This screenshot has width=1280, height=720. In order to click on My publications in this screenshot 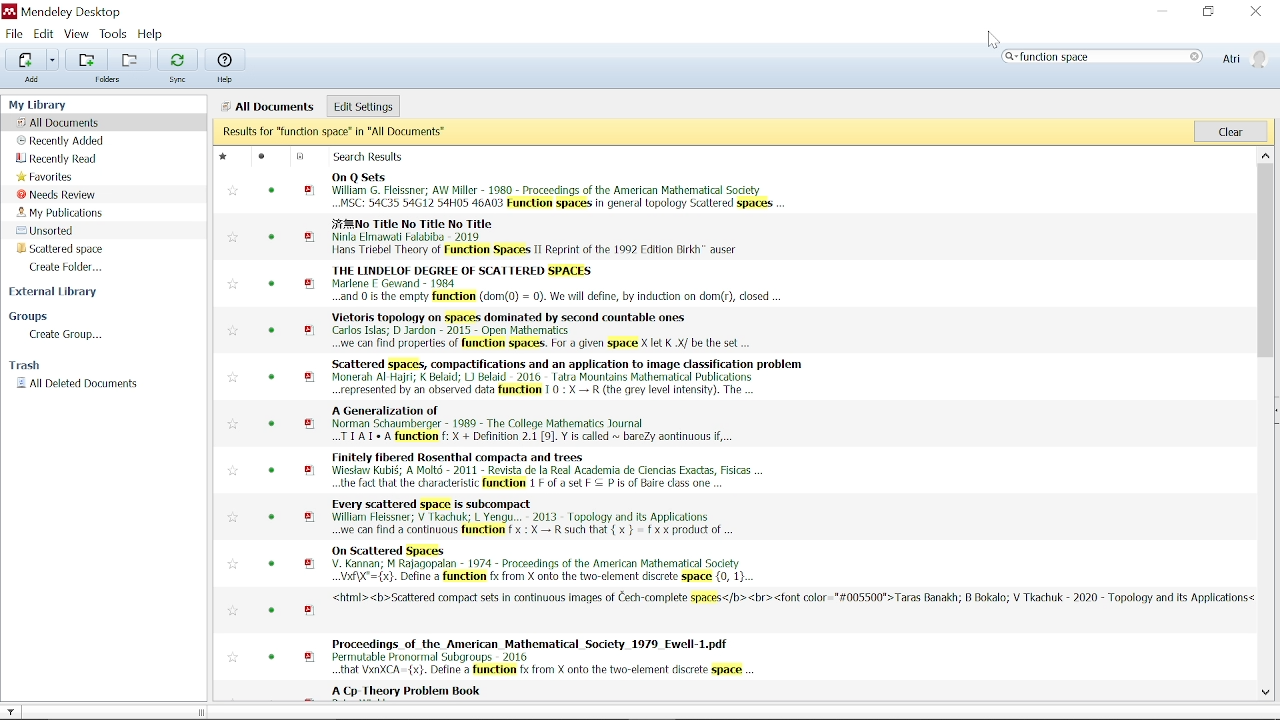, I will do `click(61, 213)`.